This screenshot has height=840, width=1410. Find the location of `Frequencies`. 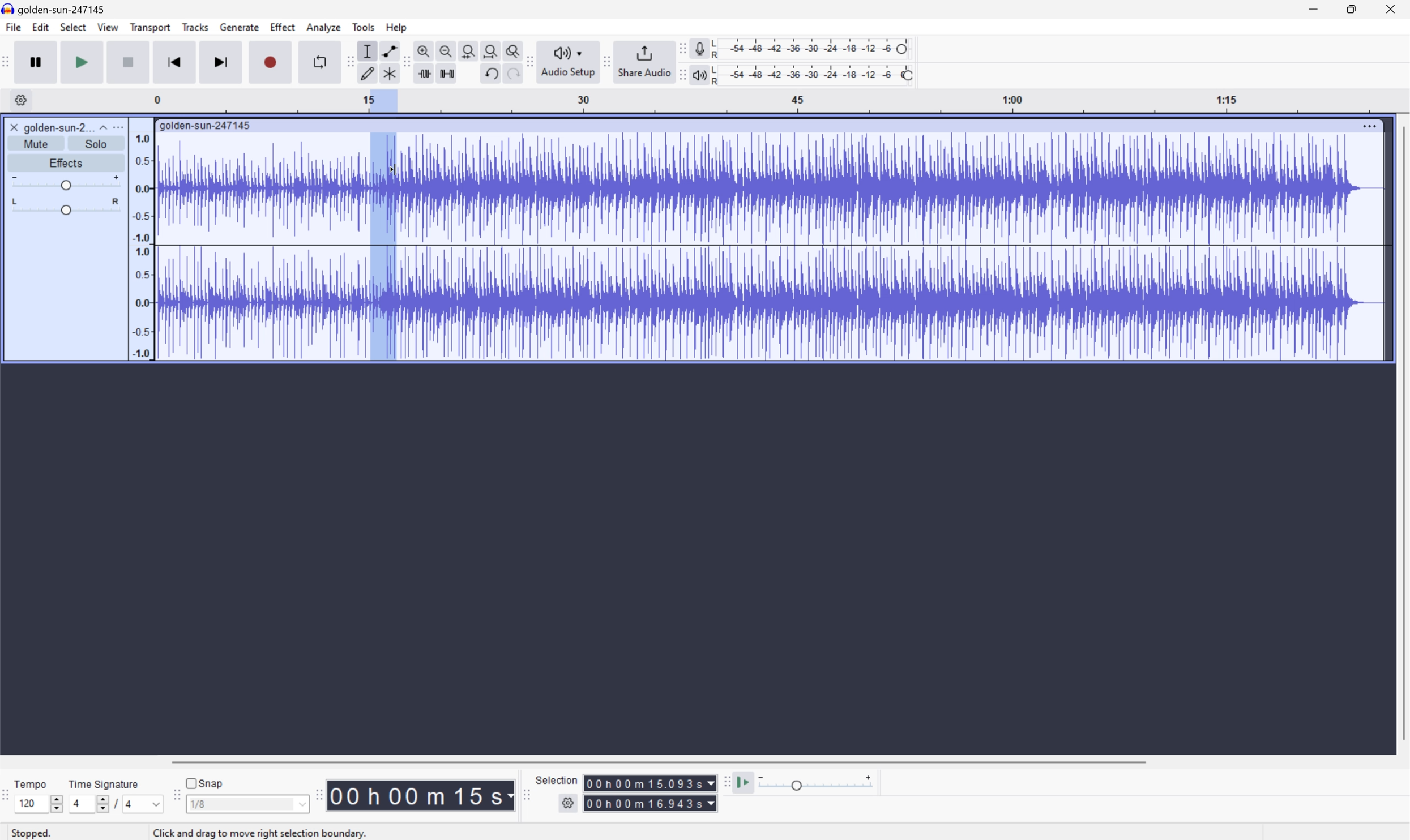

Frequencies is located at coordinates (141, 246).